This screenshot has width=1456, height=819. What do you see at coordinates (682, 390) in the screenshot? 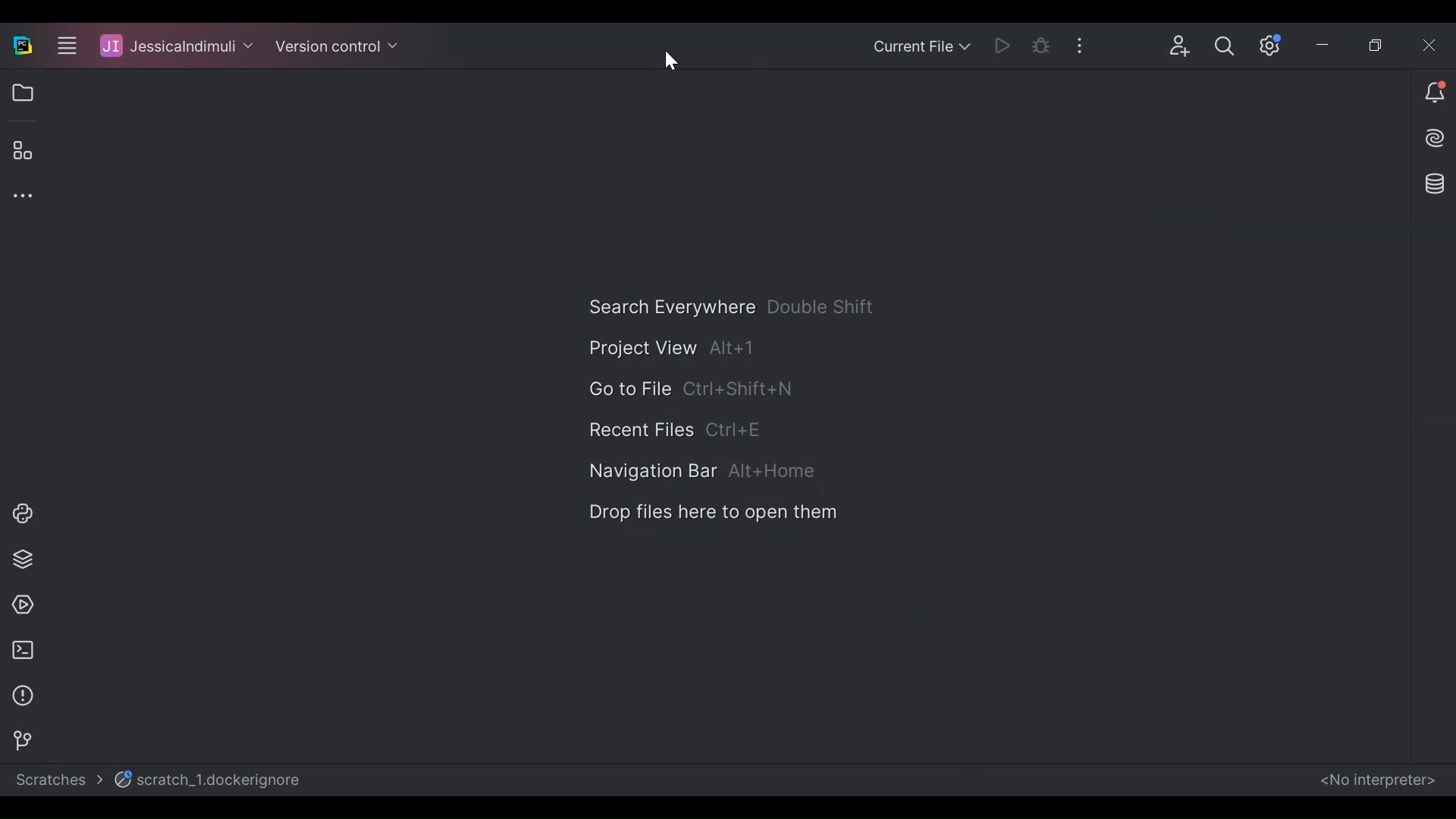
I see `Go to File` at bounding box center [682, 390].